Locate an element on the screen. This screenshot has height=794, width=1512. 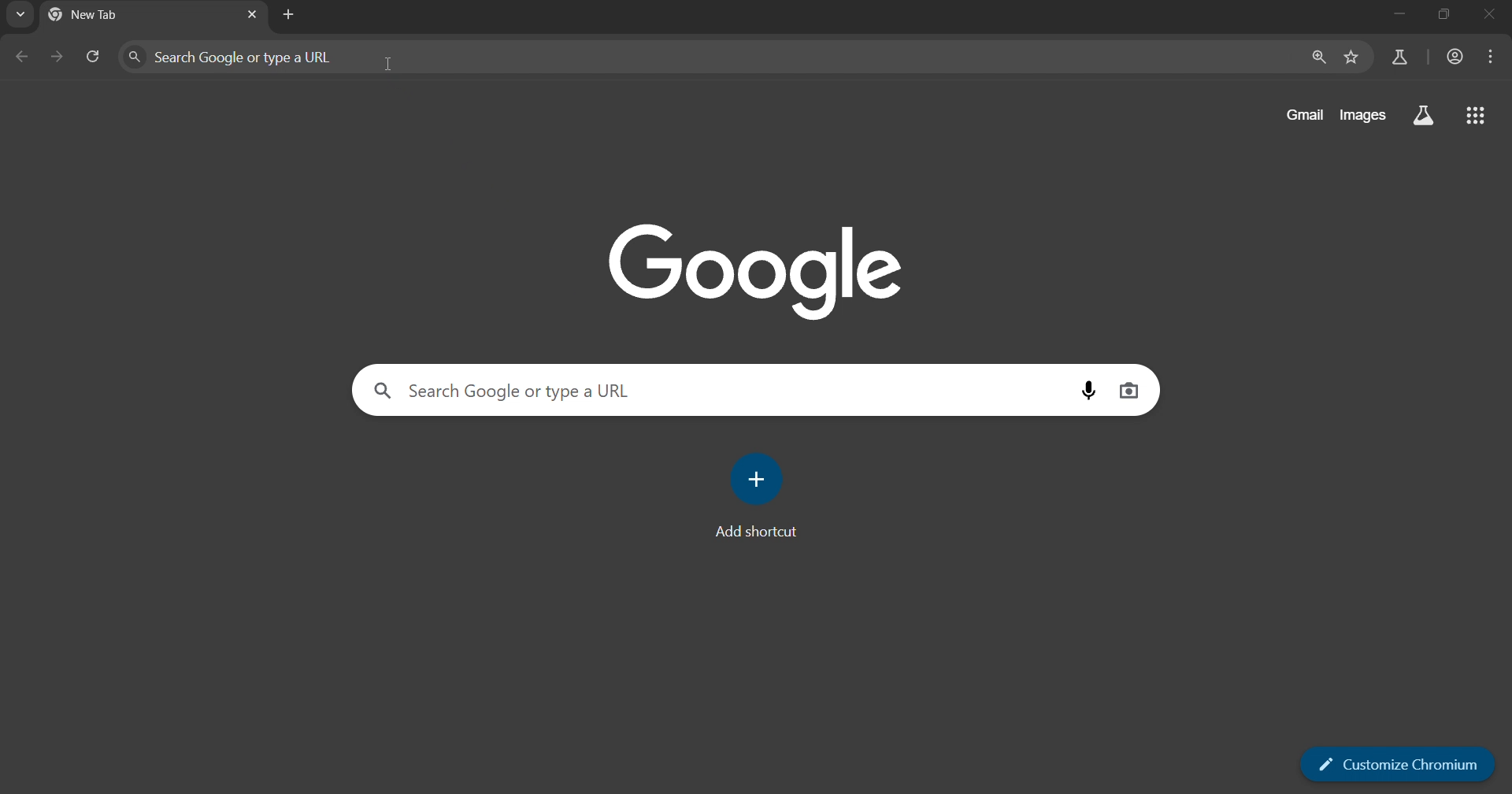
new tab is located at coordinates (289, 15).